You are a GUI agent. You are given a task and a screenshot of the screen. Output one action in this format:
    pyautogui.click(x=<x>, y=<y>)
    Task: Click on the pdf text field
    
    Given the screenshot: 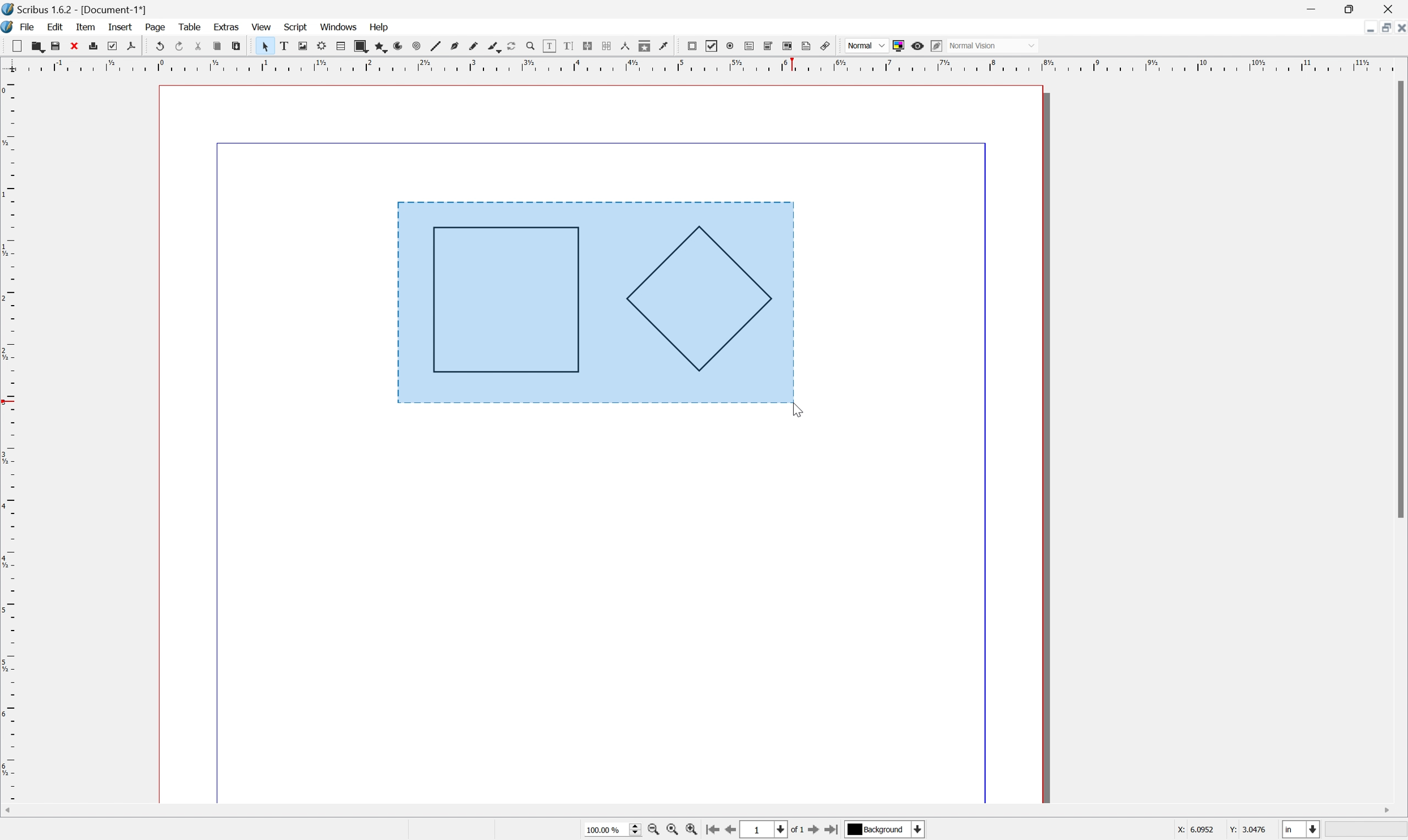 What is the action you would take?
    pyautogui.click(x=748, y=45)
    